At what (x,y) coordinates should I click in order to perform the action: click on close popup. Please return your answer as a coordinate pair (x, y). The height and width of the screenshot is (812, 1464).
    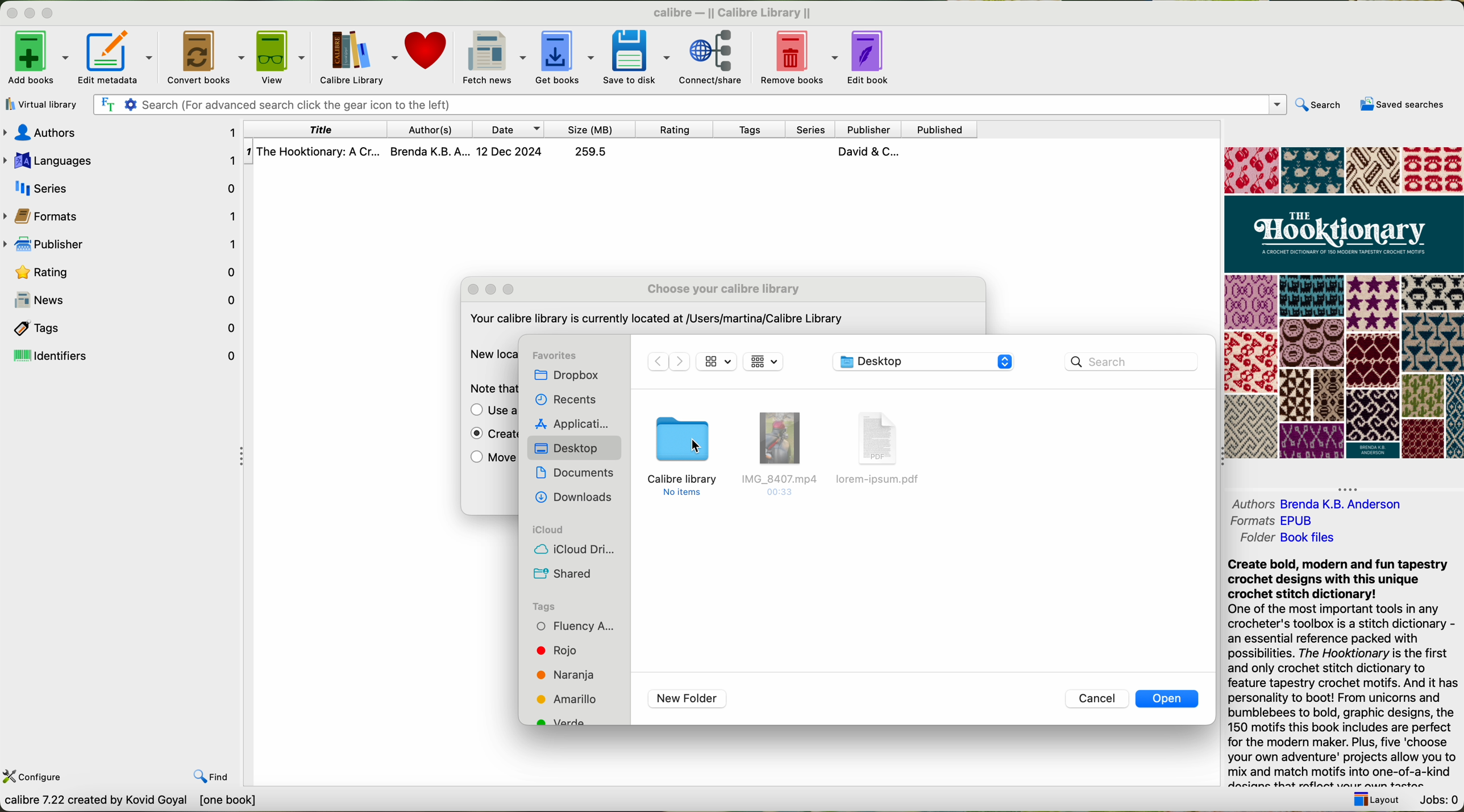
    Looking at the image, I should click on (471, 288).